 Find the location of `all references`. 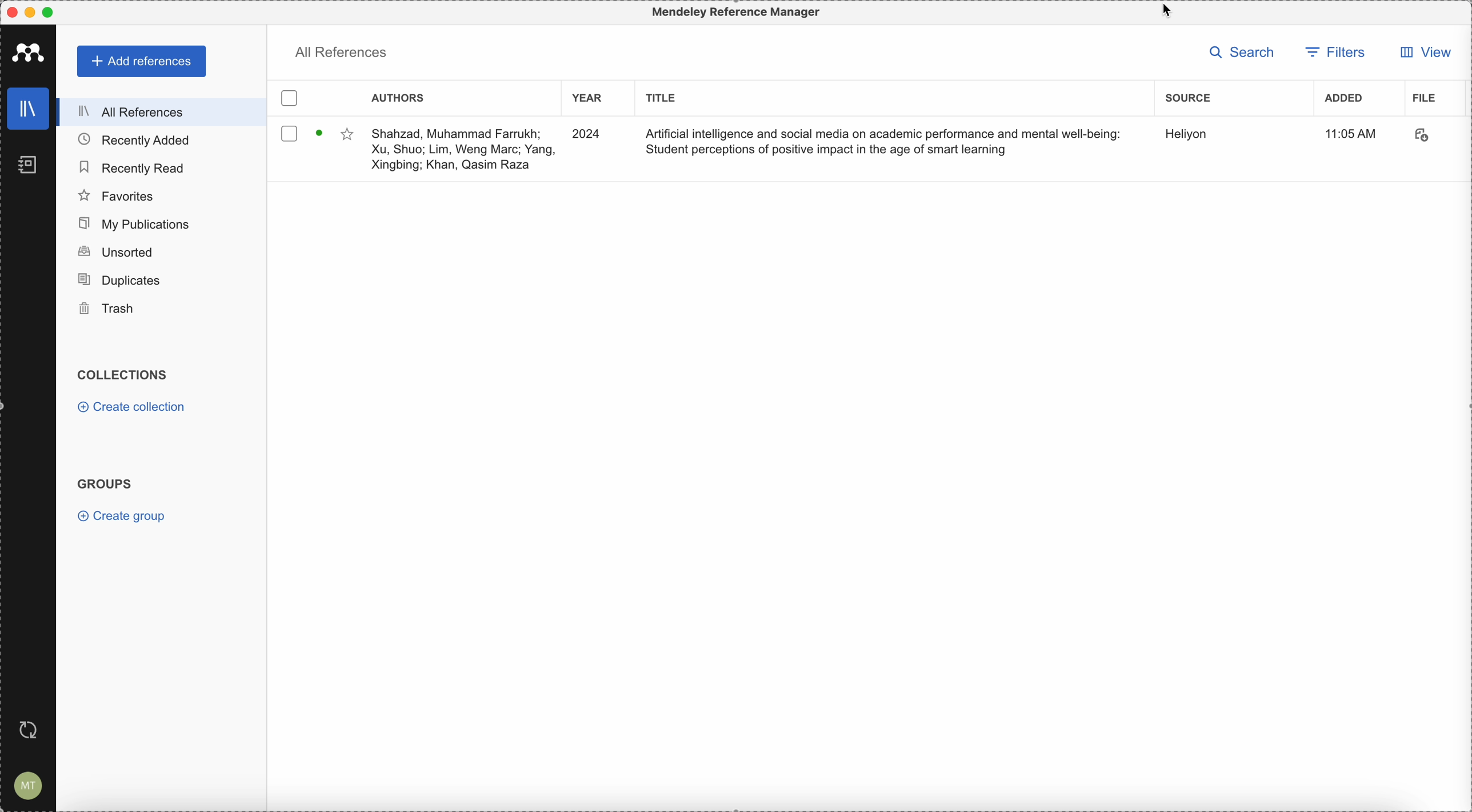

all references is located at coordinates (162, 113).